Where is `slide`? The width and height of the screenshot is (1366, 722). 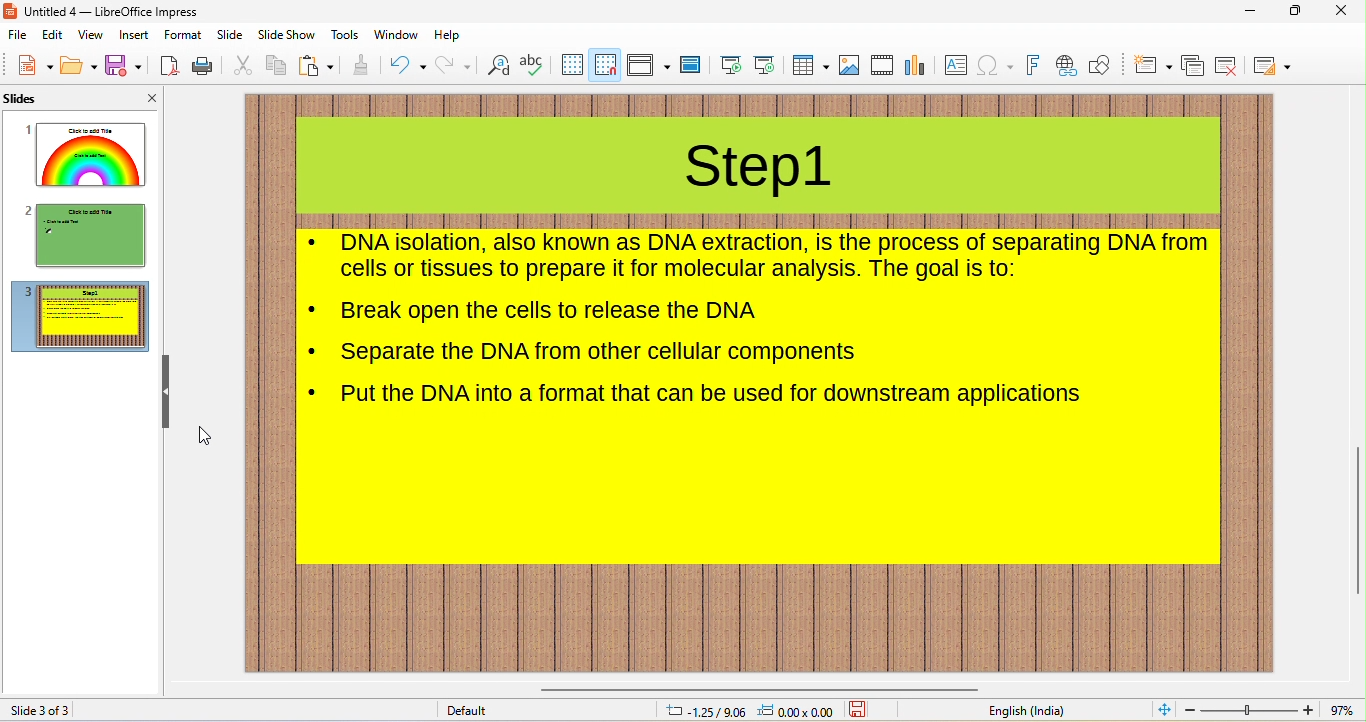
slide is located at coordinates (229, 35).